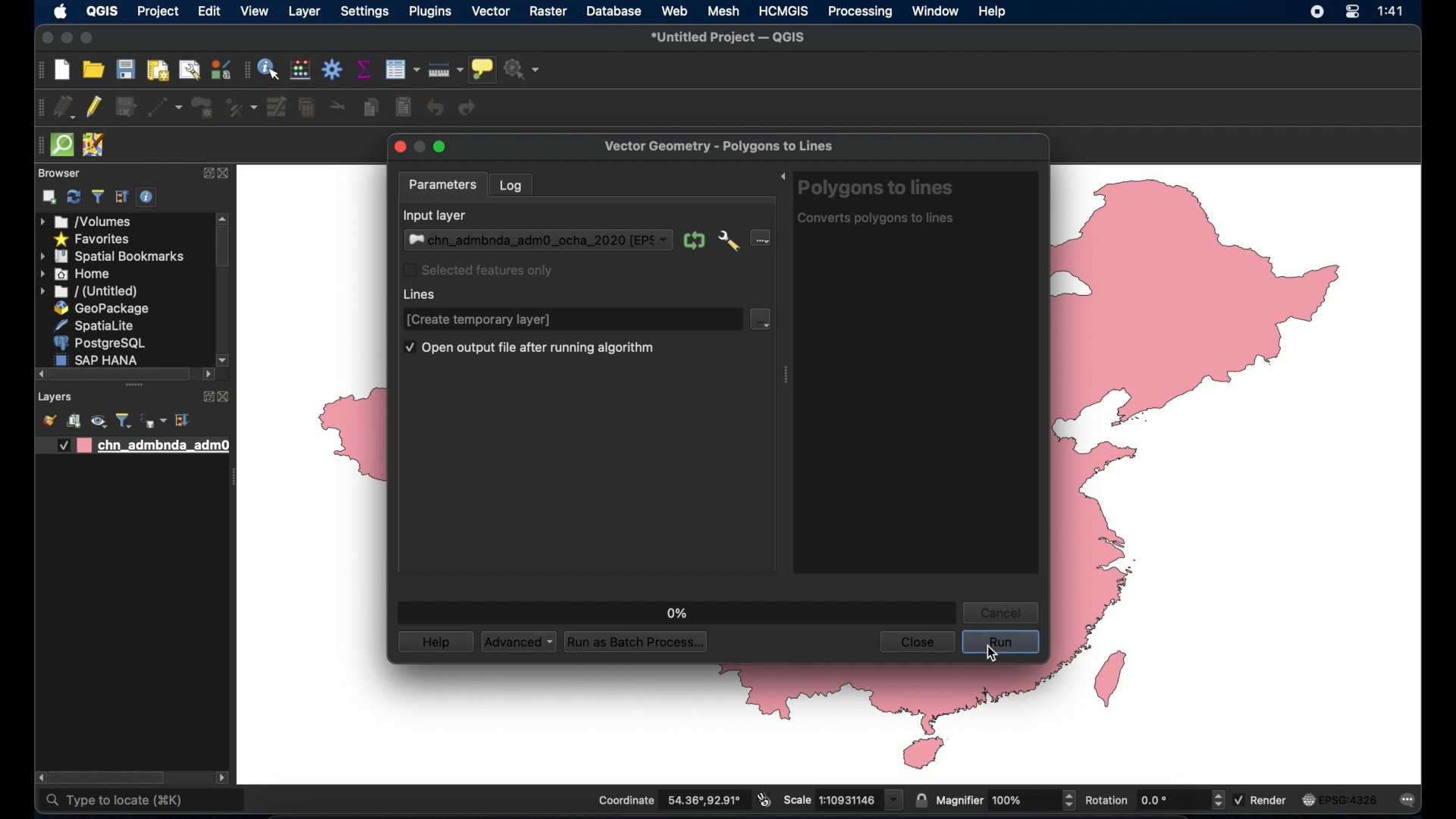 The width and height of the screenshot is (1456, 819). Describe the element at coordinates (362, 68) in the screenshot. I see `show statistical summary` at that location.